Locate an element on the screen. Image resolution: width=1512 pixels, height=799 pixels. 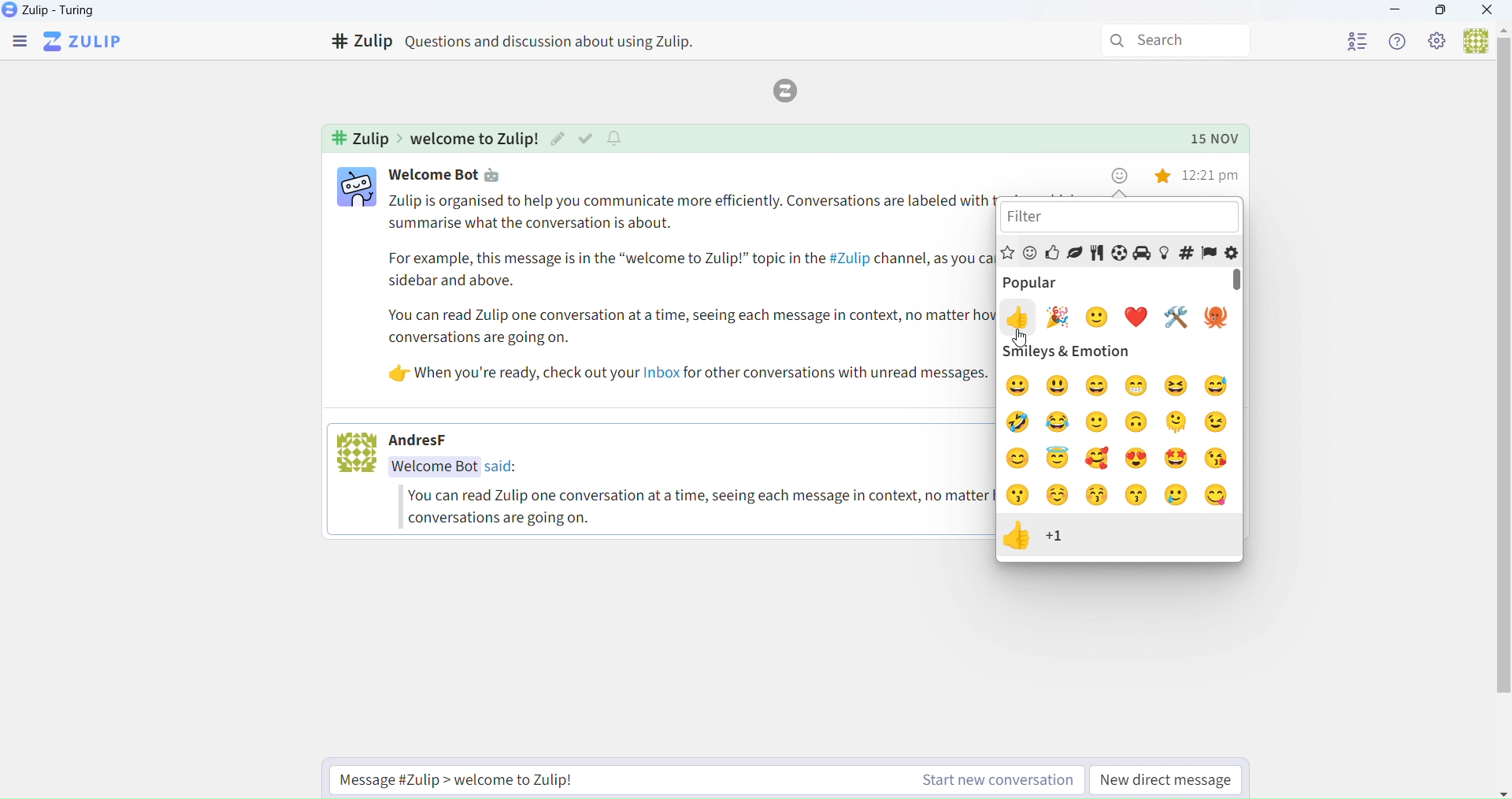
types of emojis is located at coordinates (1121, 251).